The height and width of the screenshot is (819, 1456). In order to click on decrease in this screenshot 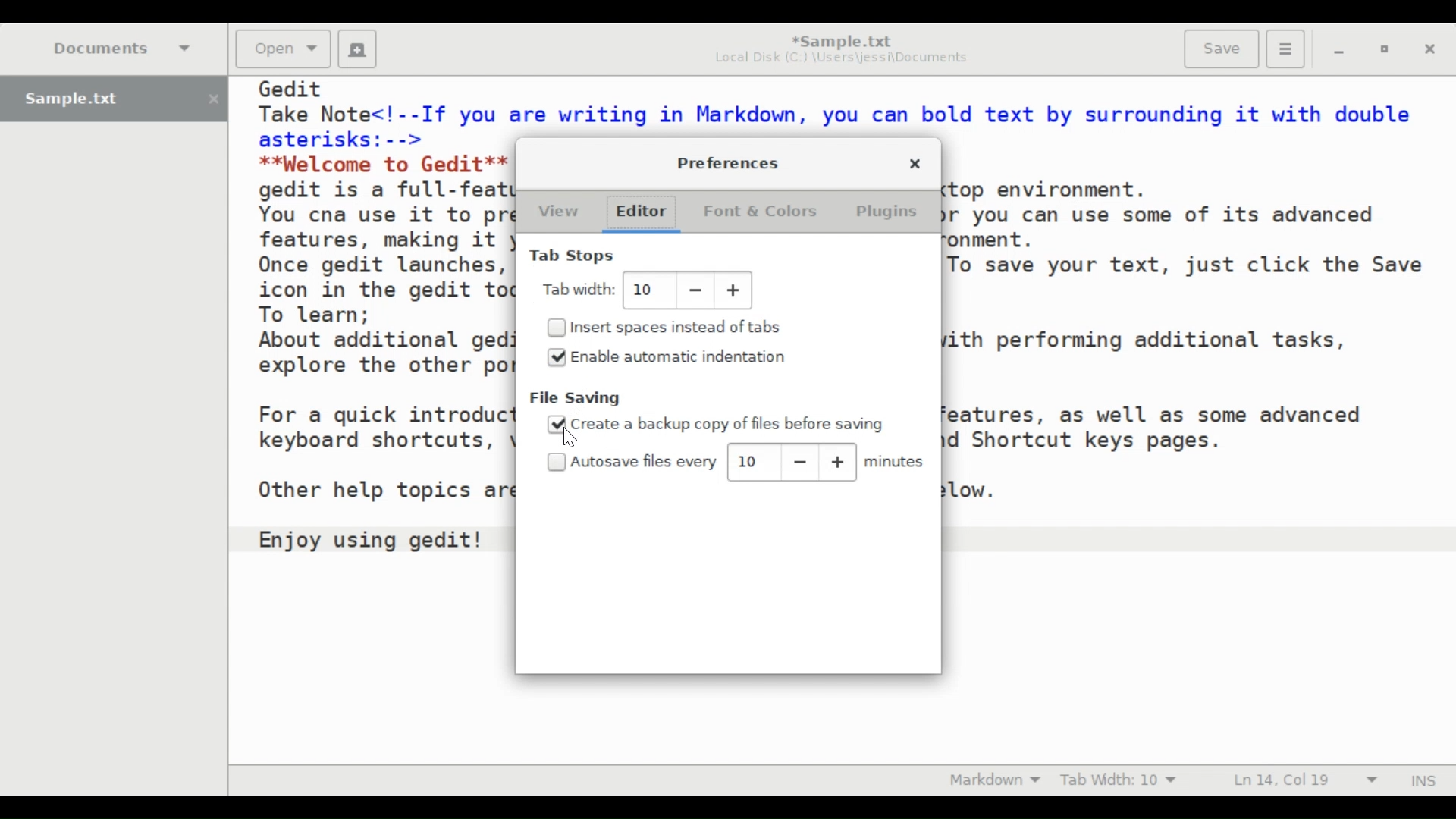, I will do `click(695, 291)`.